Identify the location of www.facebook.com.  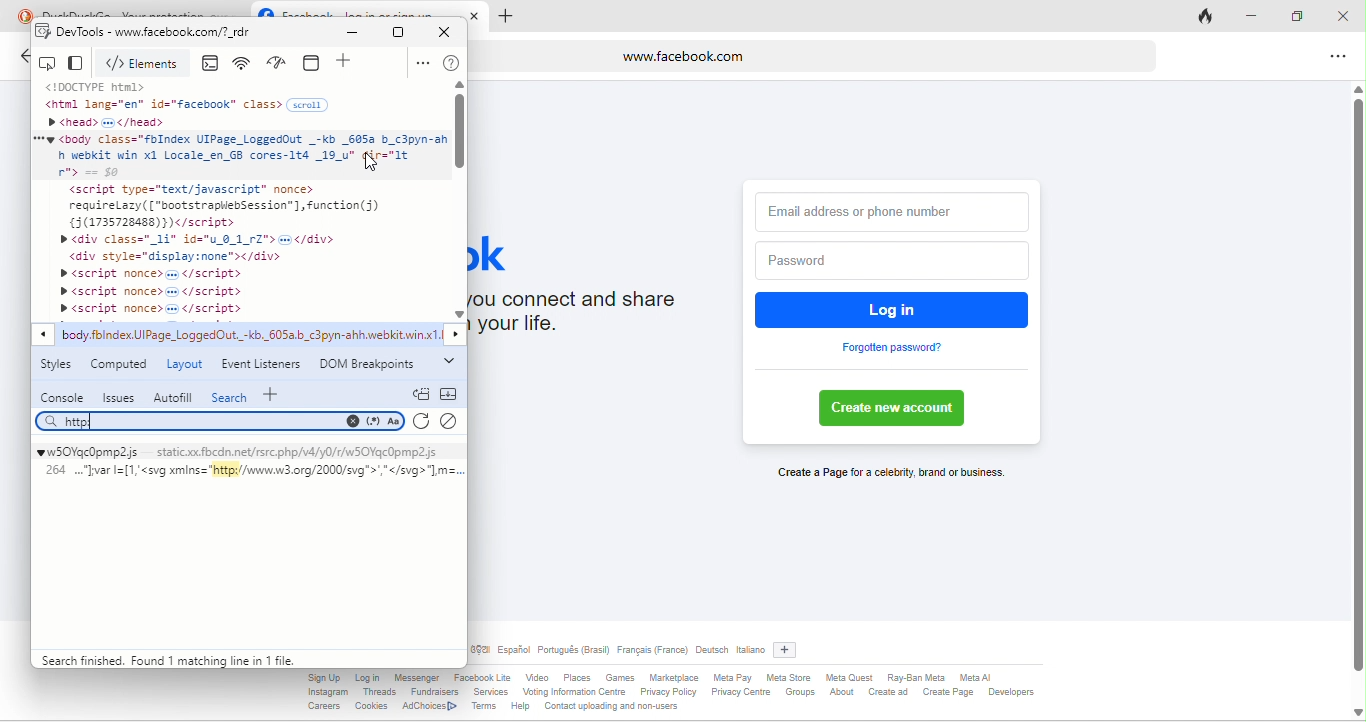
(815, 55).